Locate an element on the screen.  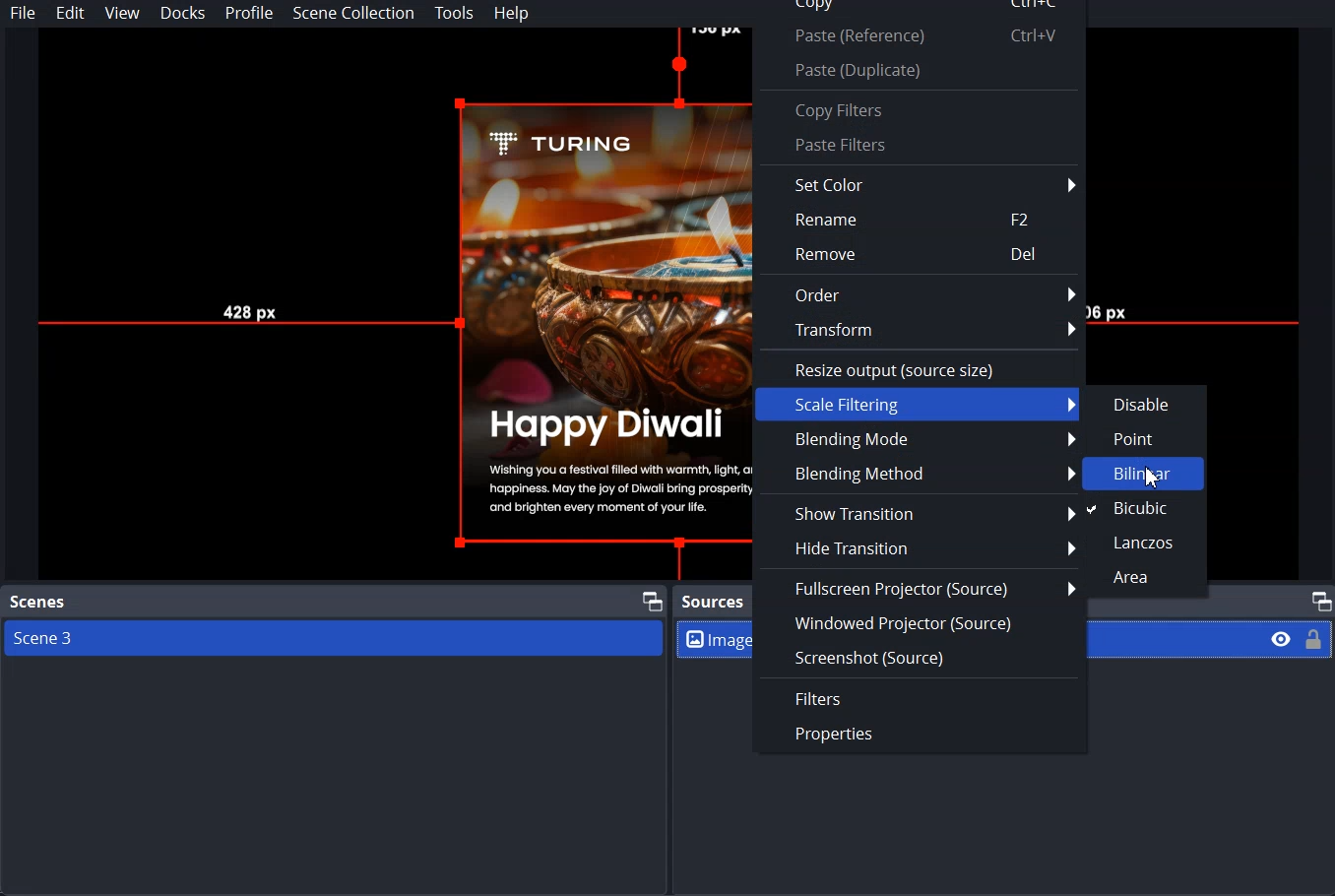
Window projector is located at coordinates (921, 623).